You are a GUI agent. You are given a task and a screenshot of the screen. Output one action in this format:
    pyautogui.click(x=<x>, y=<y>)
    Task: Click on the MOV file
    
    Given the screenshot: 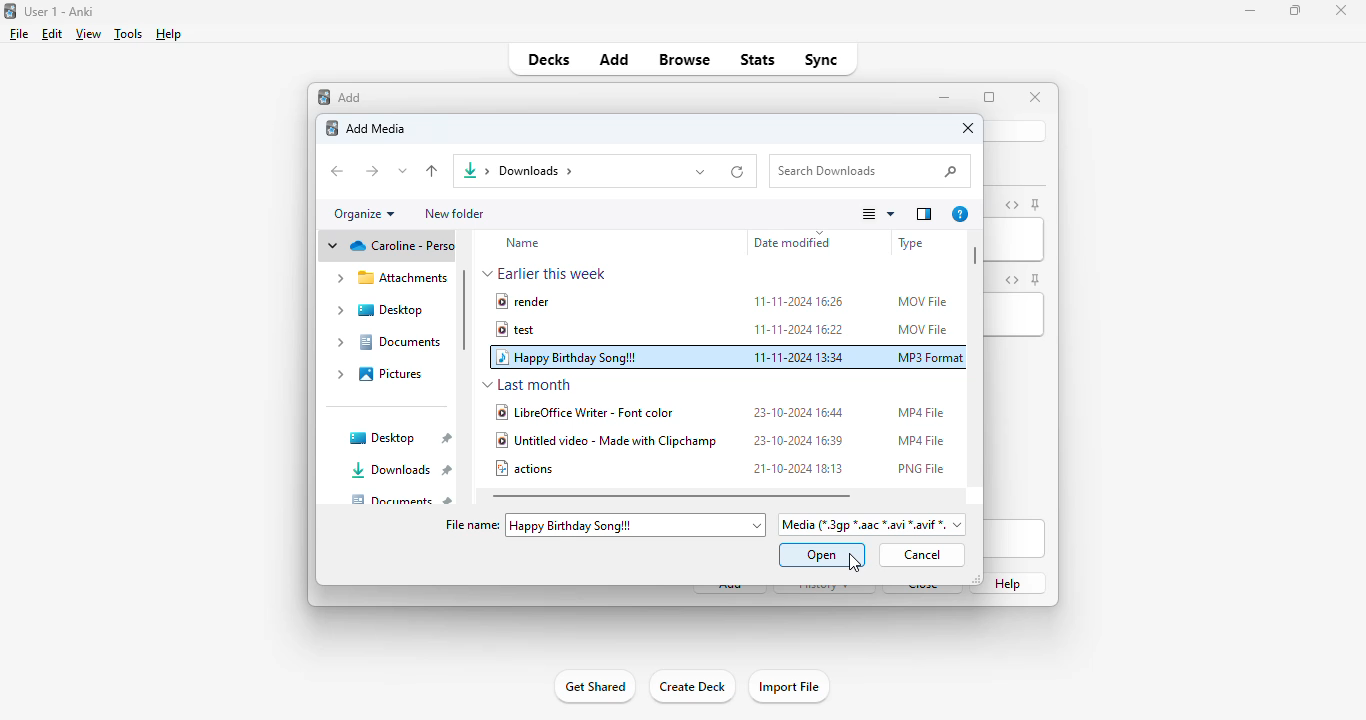 What is the action you would take?
    pyautogui.click(x=923, y=302)
    